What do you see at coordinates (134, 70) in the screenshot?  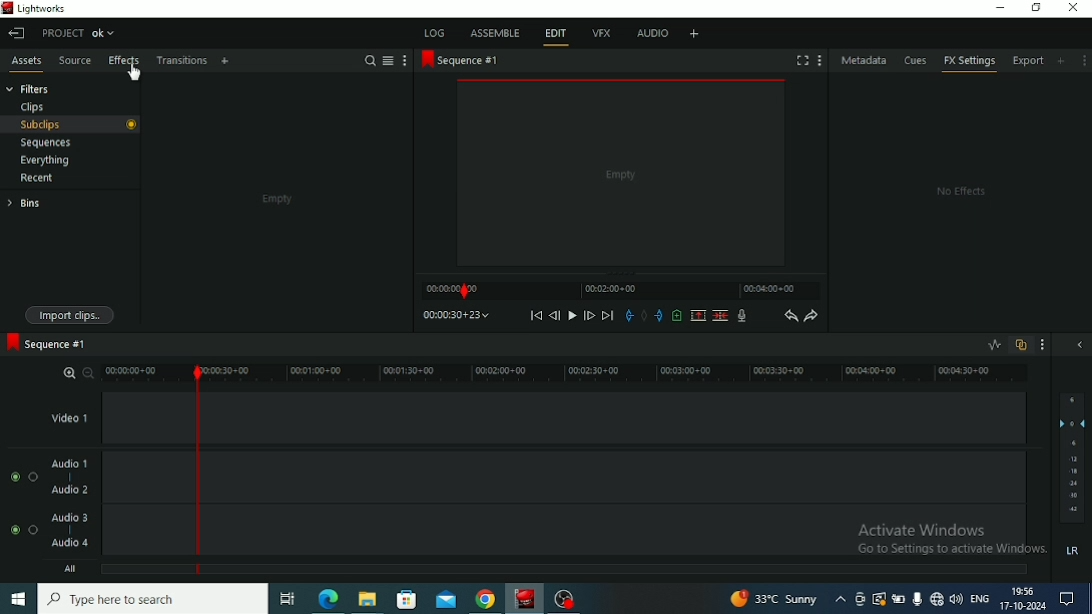 I see `Cursor` at bounding box center [134, 70].